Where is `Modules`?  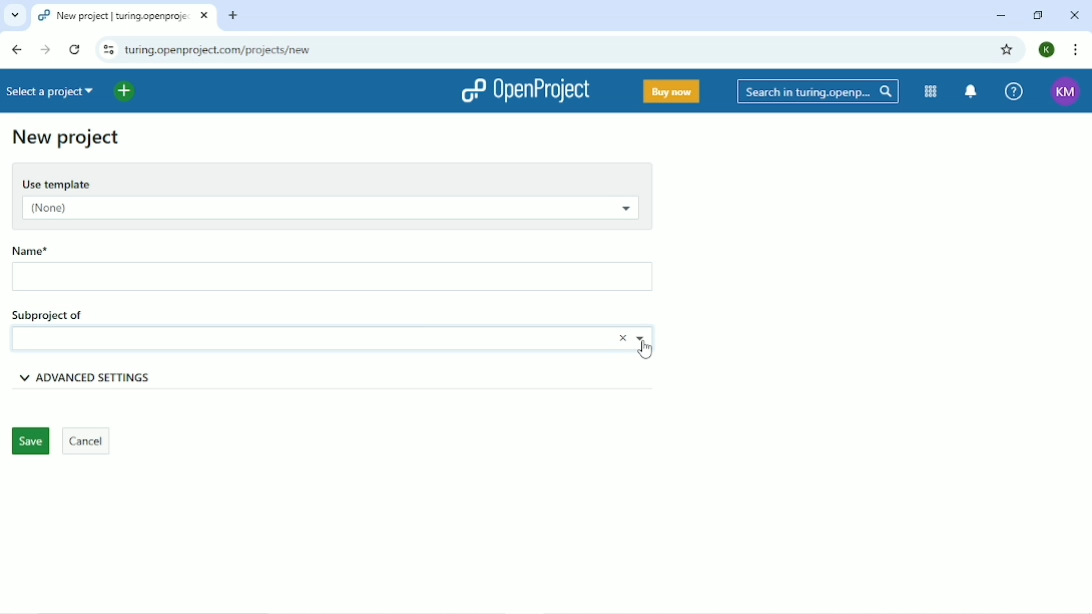
Modules is located at coordinates (932, 92).